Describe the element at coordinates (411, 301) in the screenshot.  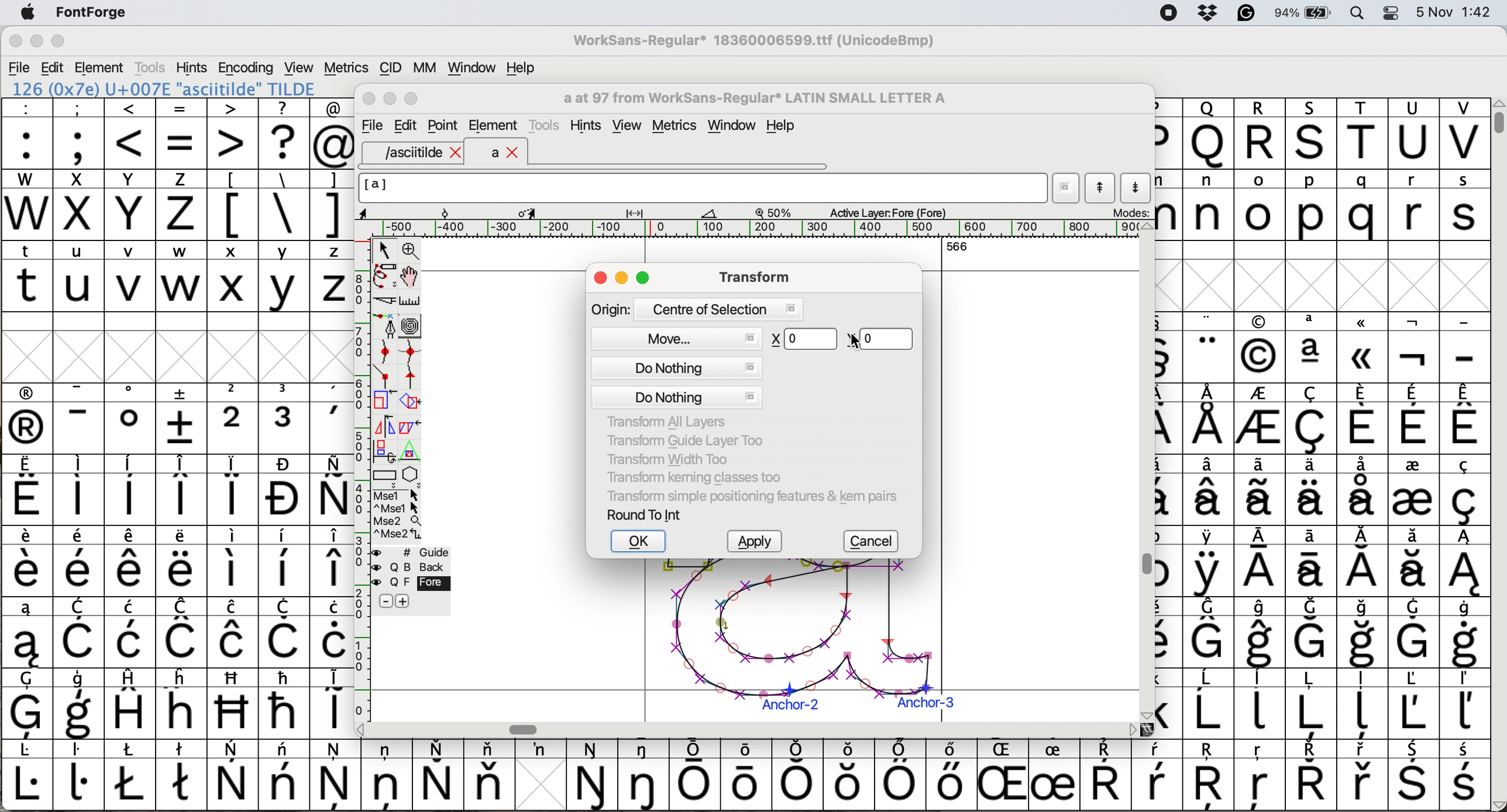
I see `measure distance` at that location.